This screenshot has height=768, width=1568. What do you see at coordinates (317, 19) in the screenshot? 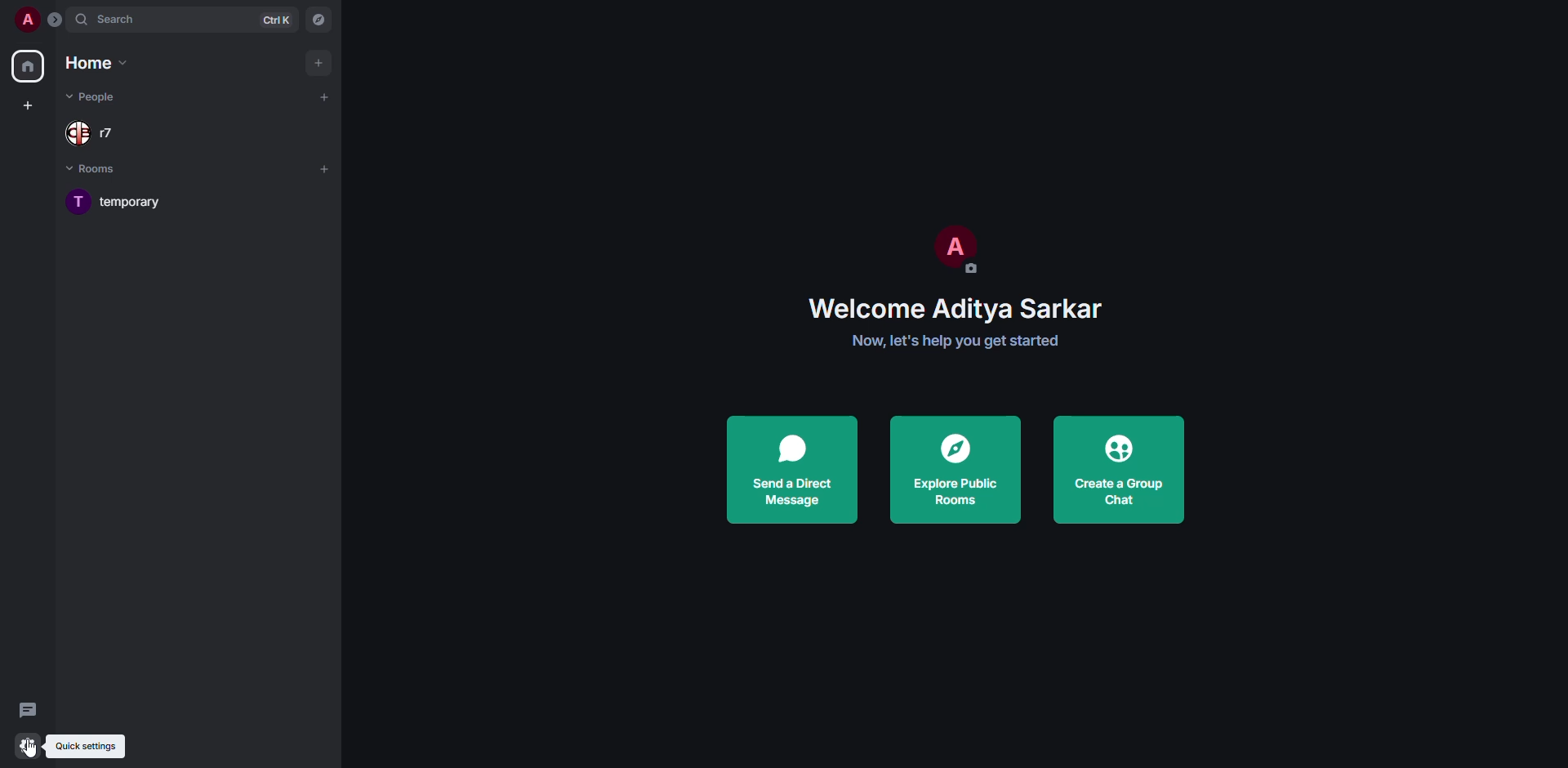
I see `navigator` at bounding box center [317, 19].